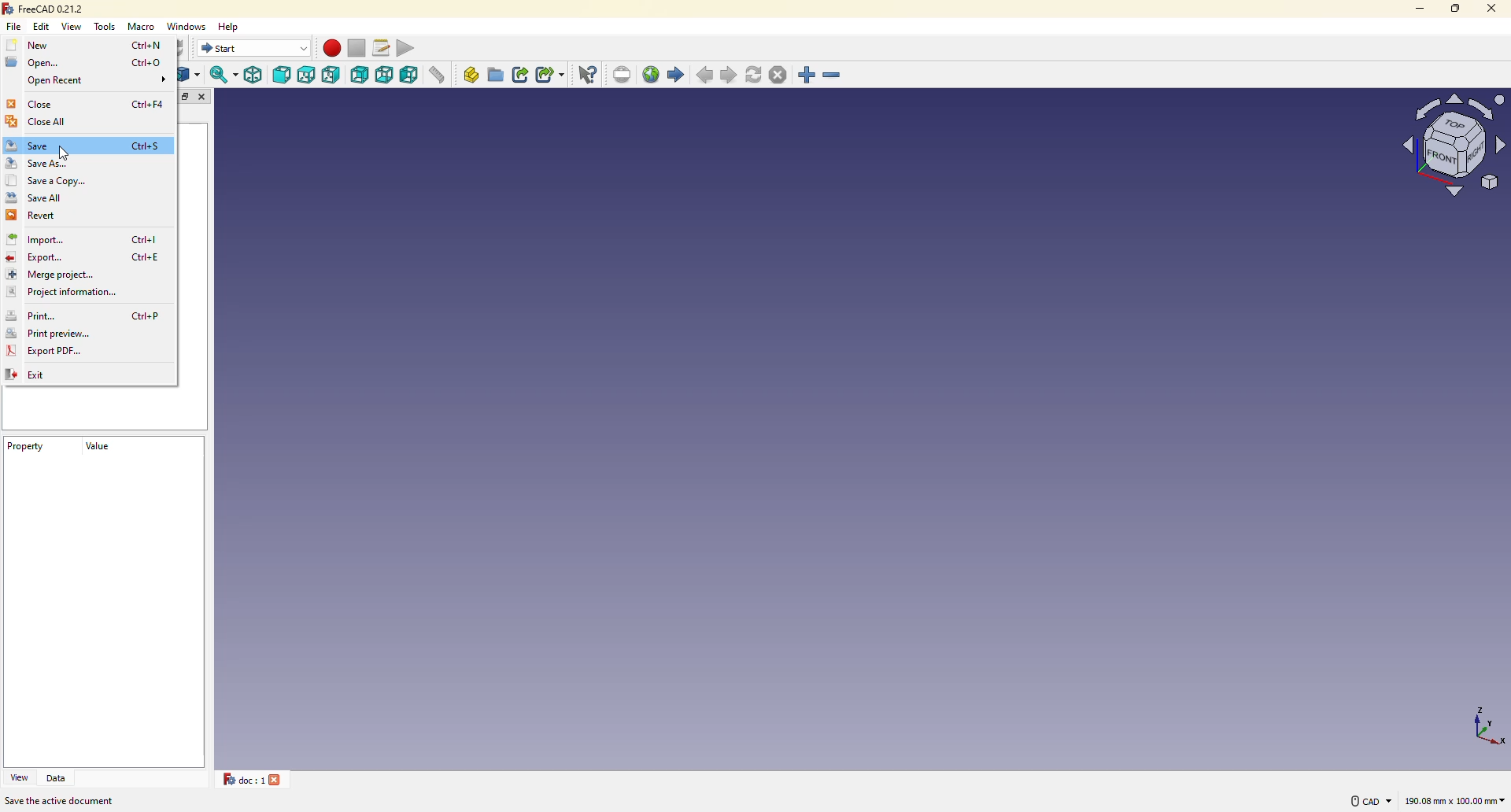  Describe the element at coordinates (1450, 143) in the screenshot. I see `model view` at that location.